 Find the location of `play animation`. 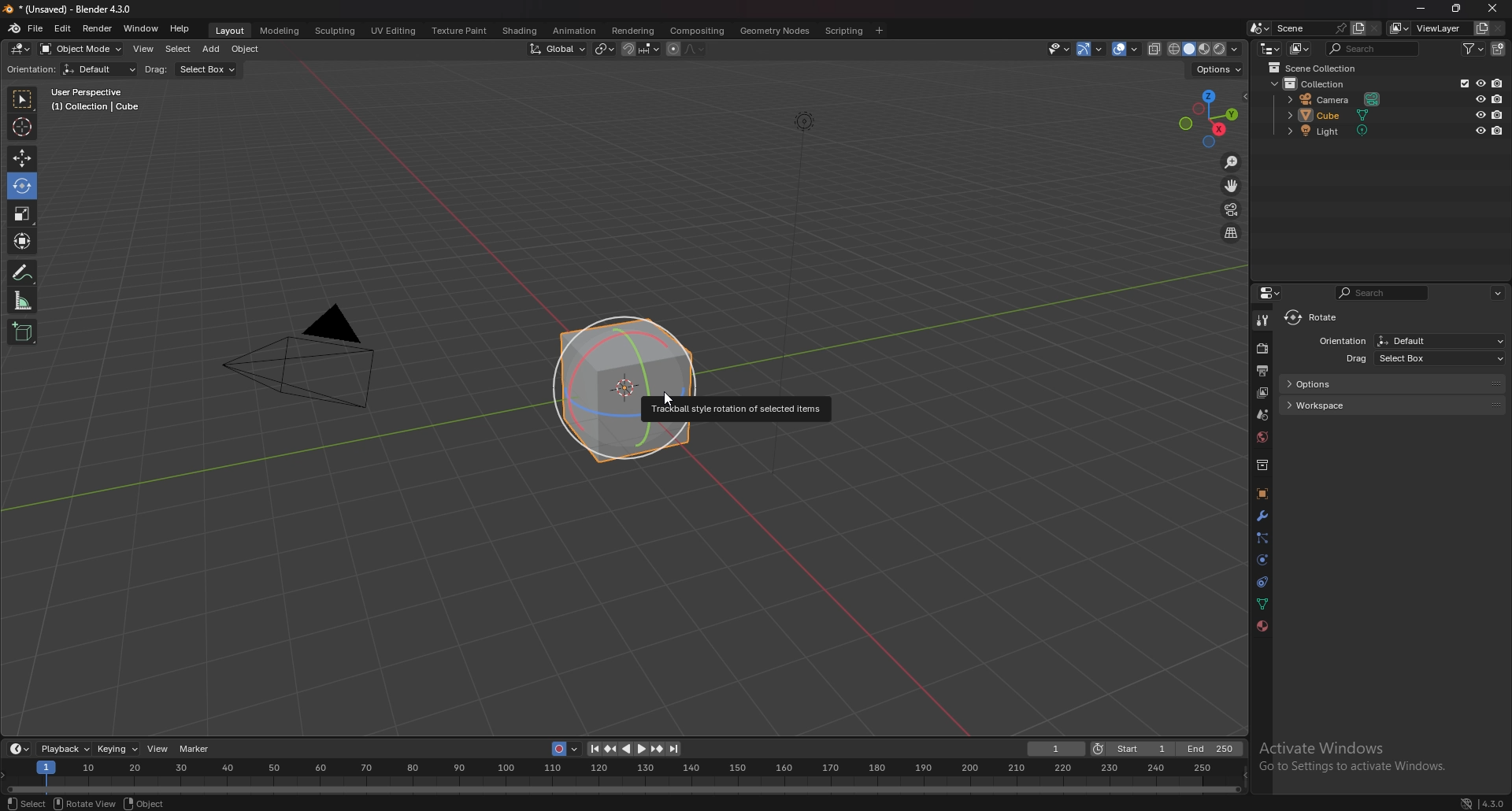

play animation is located at coordinates (634, 749).